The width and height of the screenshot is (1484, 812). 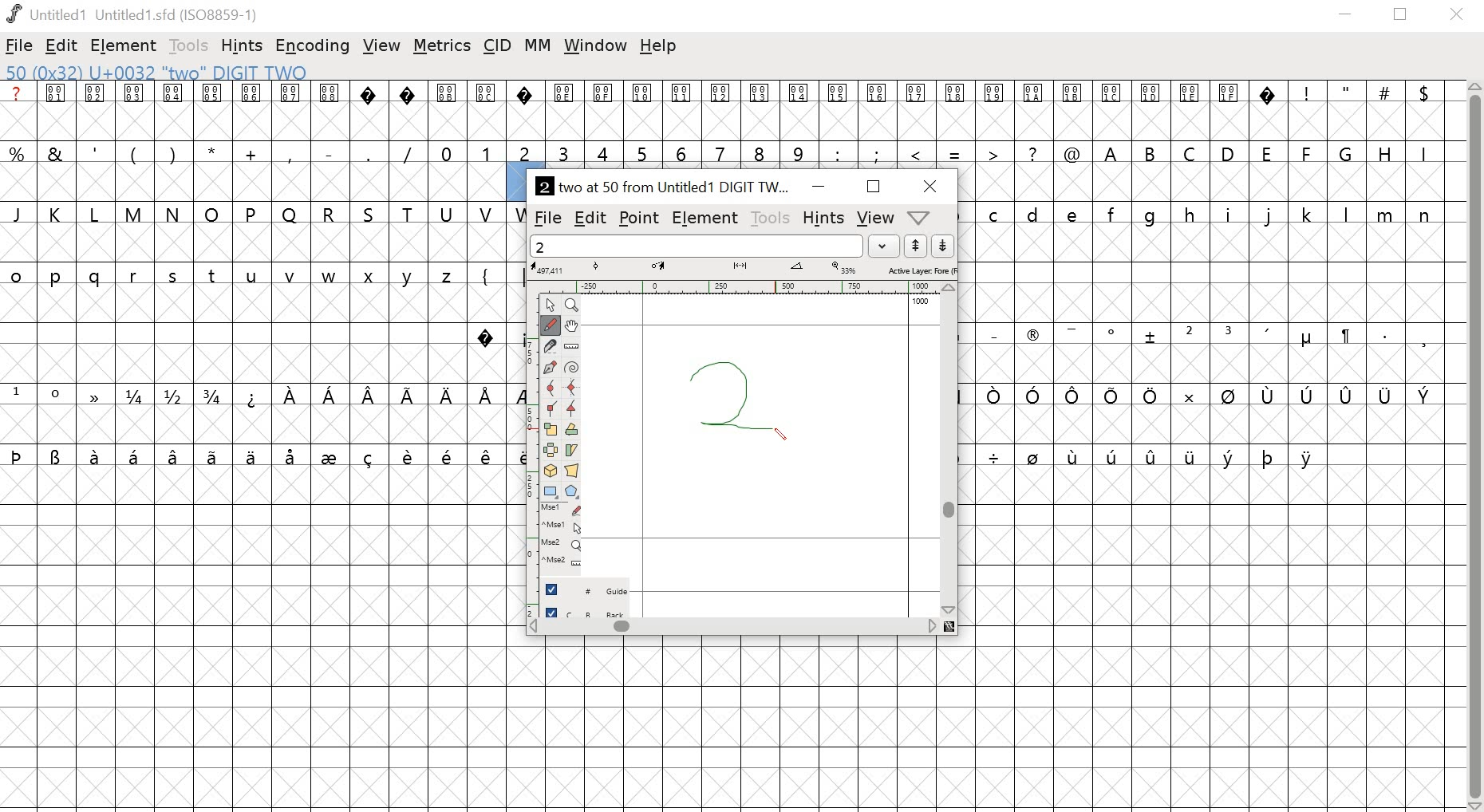 What do you see at coordinates (780, 431) in the screenshot?
I see `pen tool /cursor location` at bounding box center [780, 431].